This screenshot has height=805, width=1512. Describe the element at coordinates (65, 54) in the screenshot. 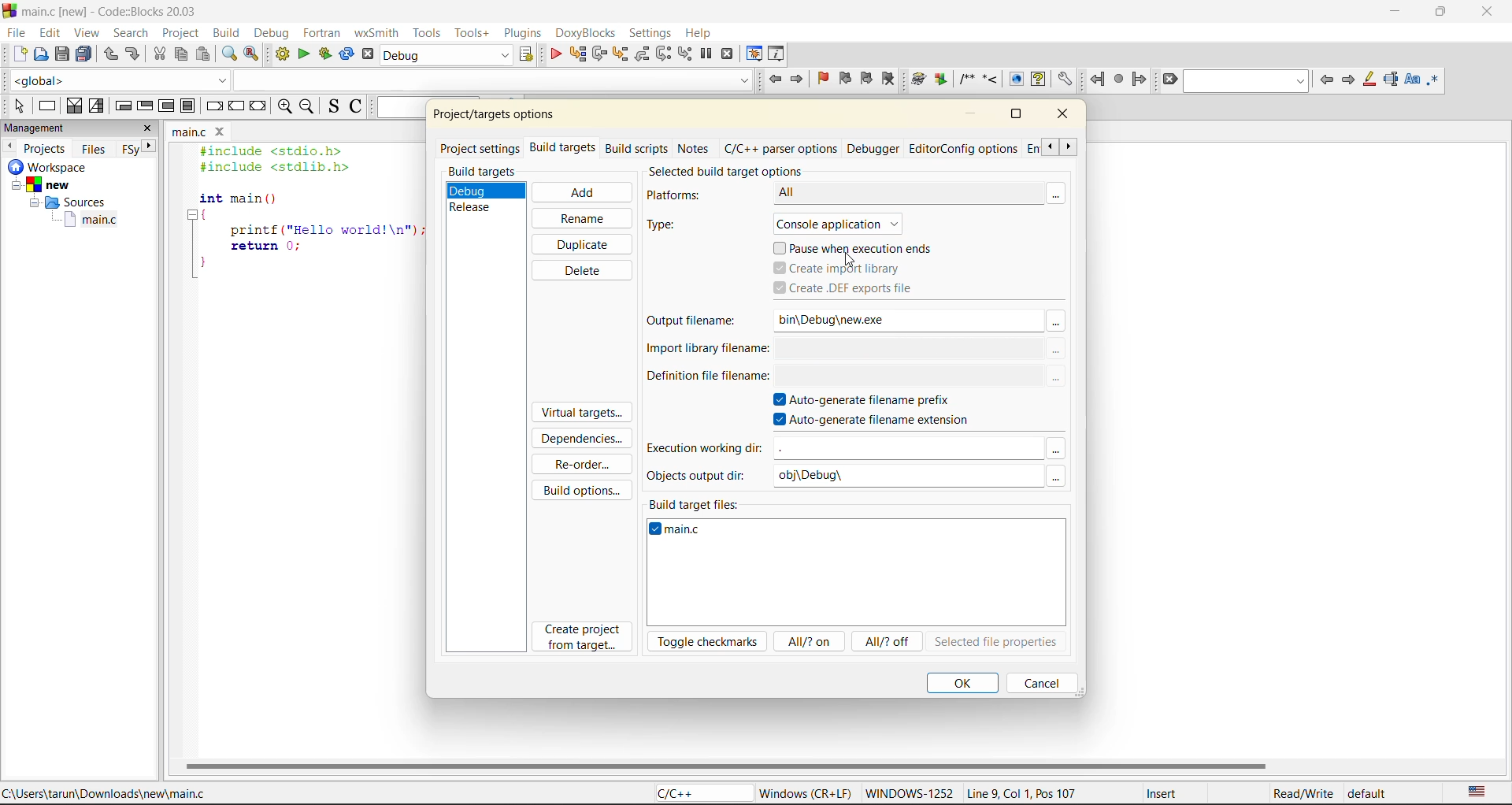

I see `save` at that location.